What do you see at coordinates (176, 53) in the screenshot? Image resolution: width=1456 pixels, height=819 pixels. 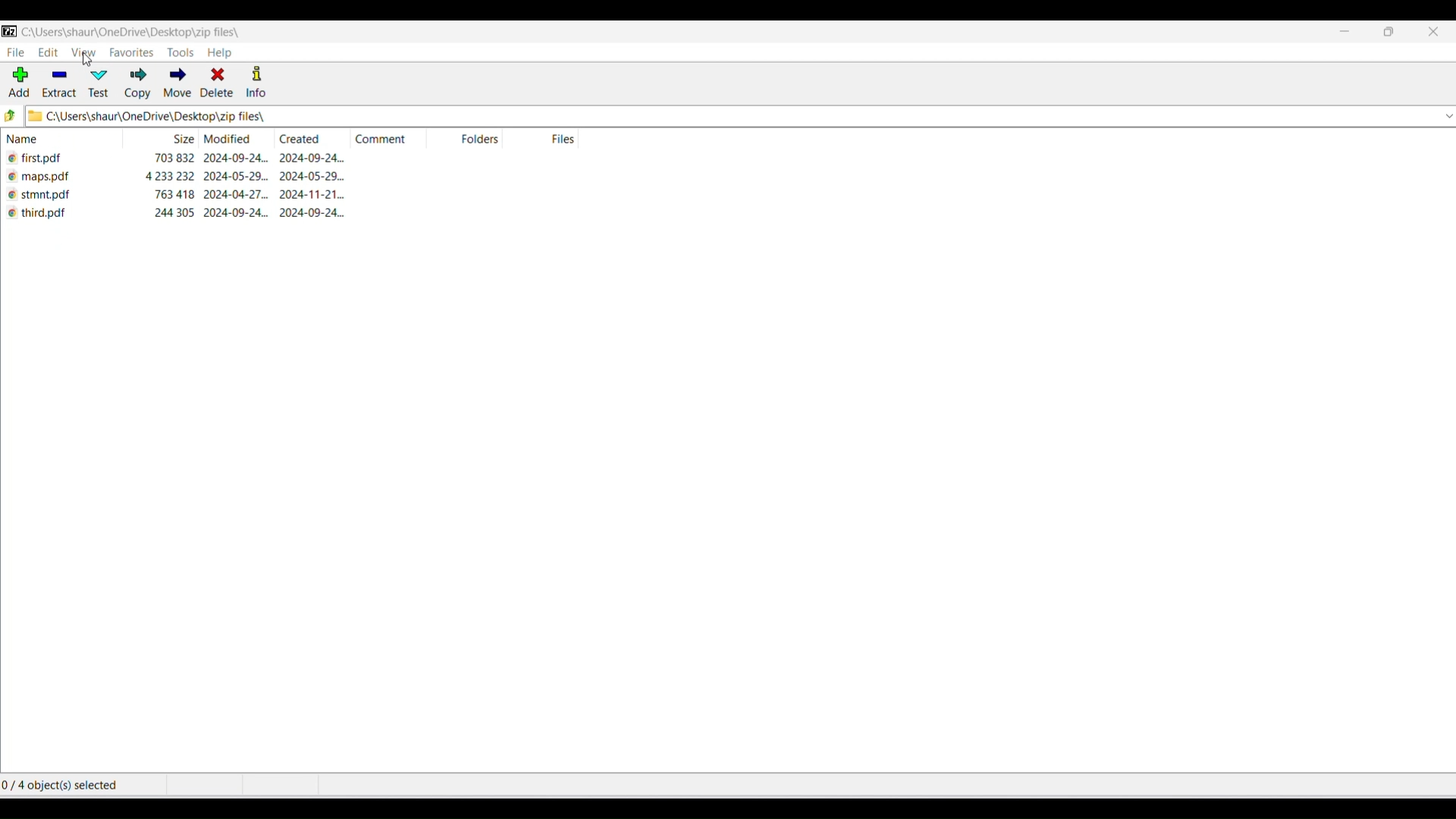 I see `tools` at bounding box center [176, 53].